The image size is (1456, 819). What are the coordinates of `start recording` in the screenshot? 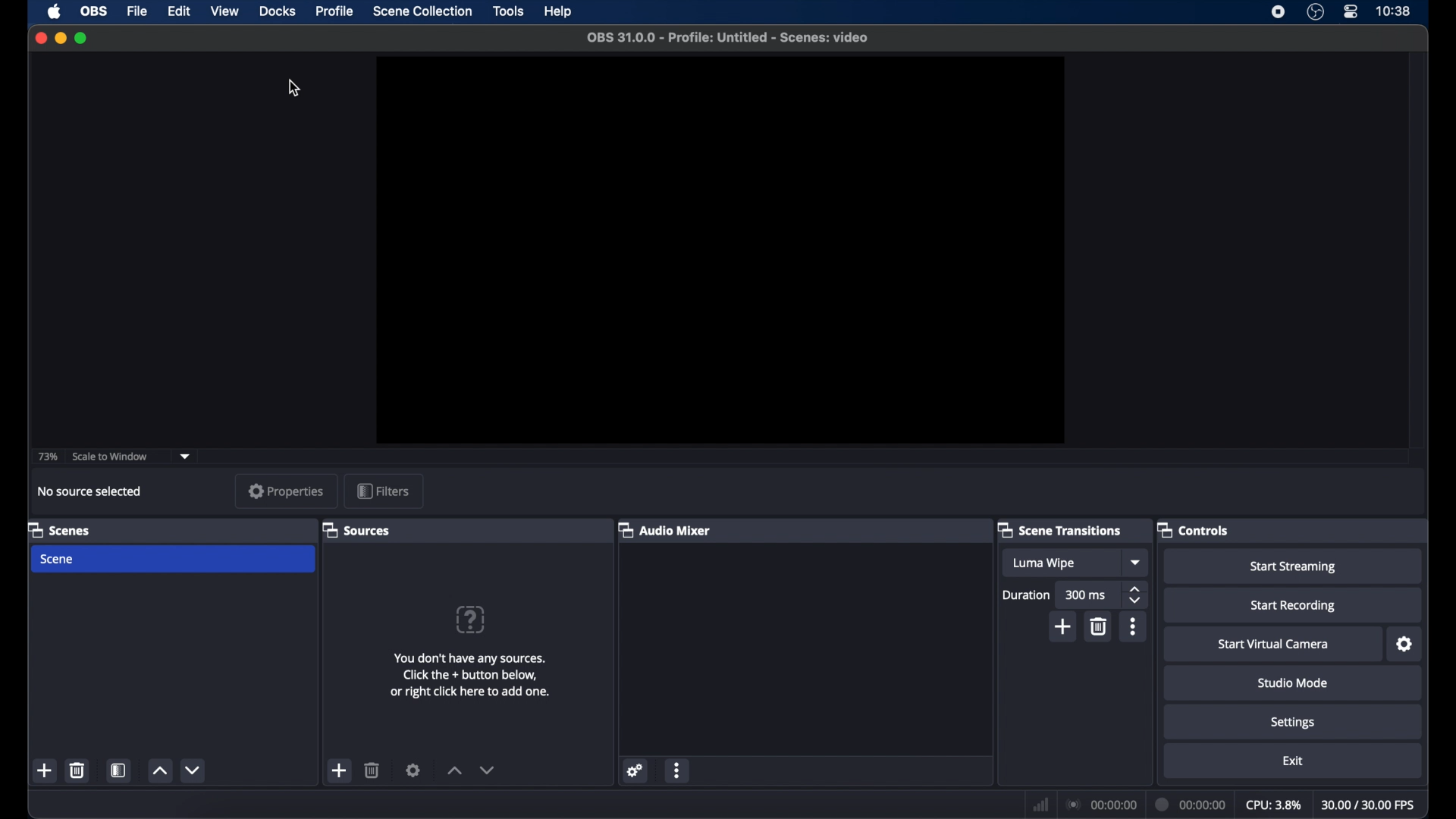 It's located at (1295, 606).